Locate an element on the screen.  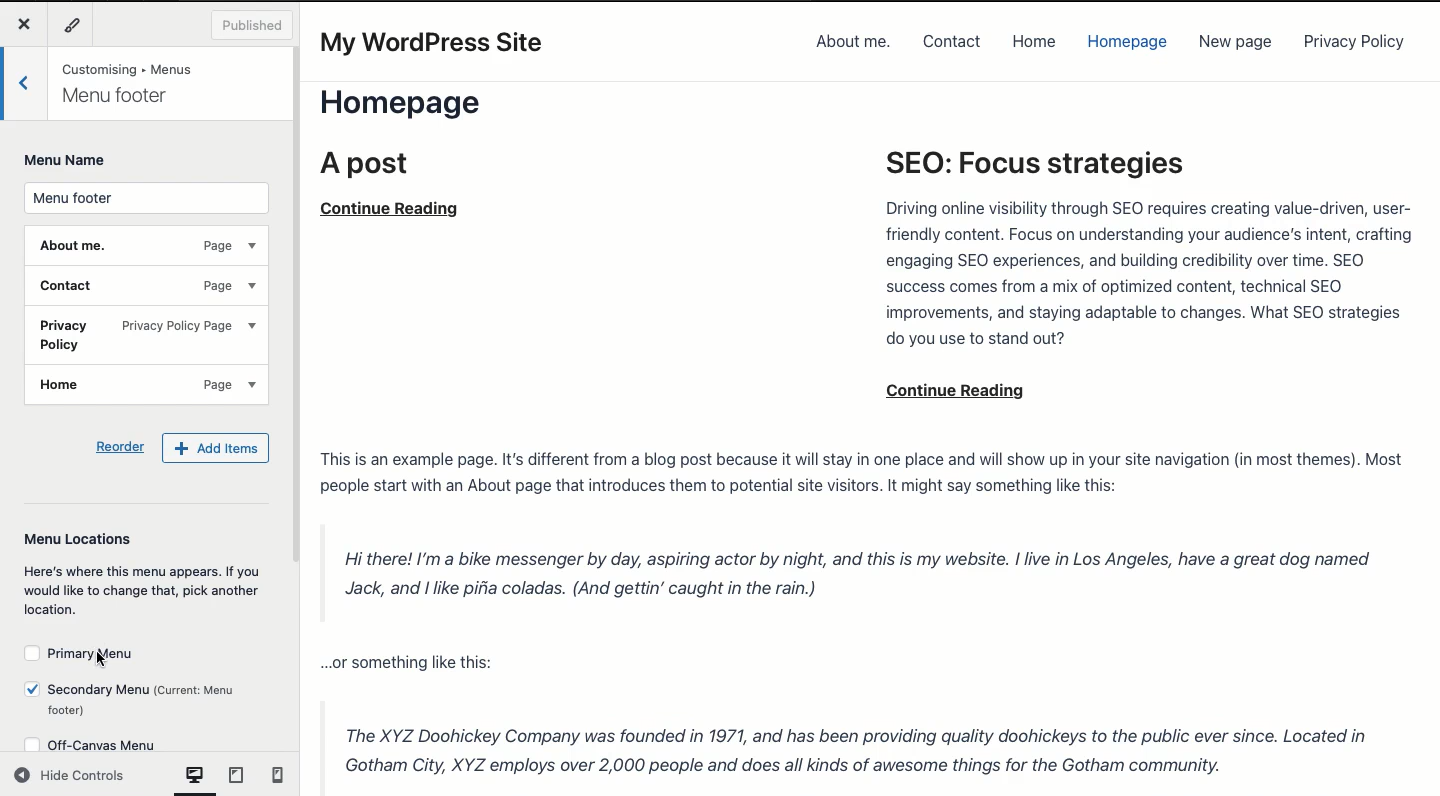
Menu name is located at coordinates (67, 161).